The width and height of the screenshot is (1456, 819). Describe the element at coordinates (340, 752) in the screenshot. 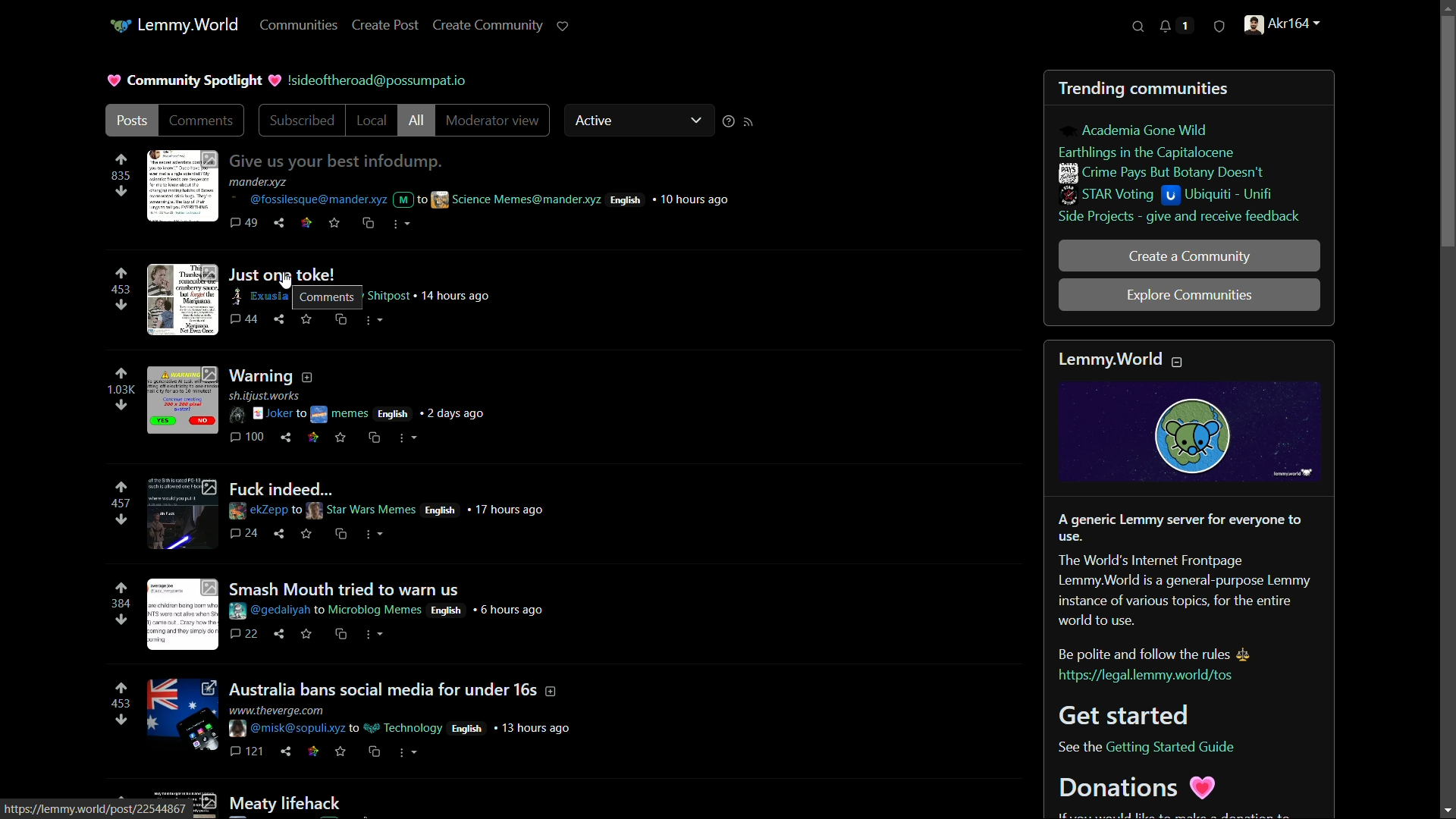

I see `save` at that location.